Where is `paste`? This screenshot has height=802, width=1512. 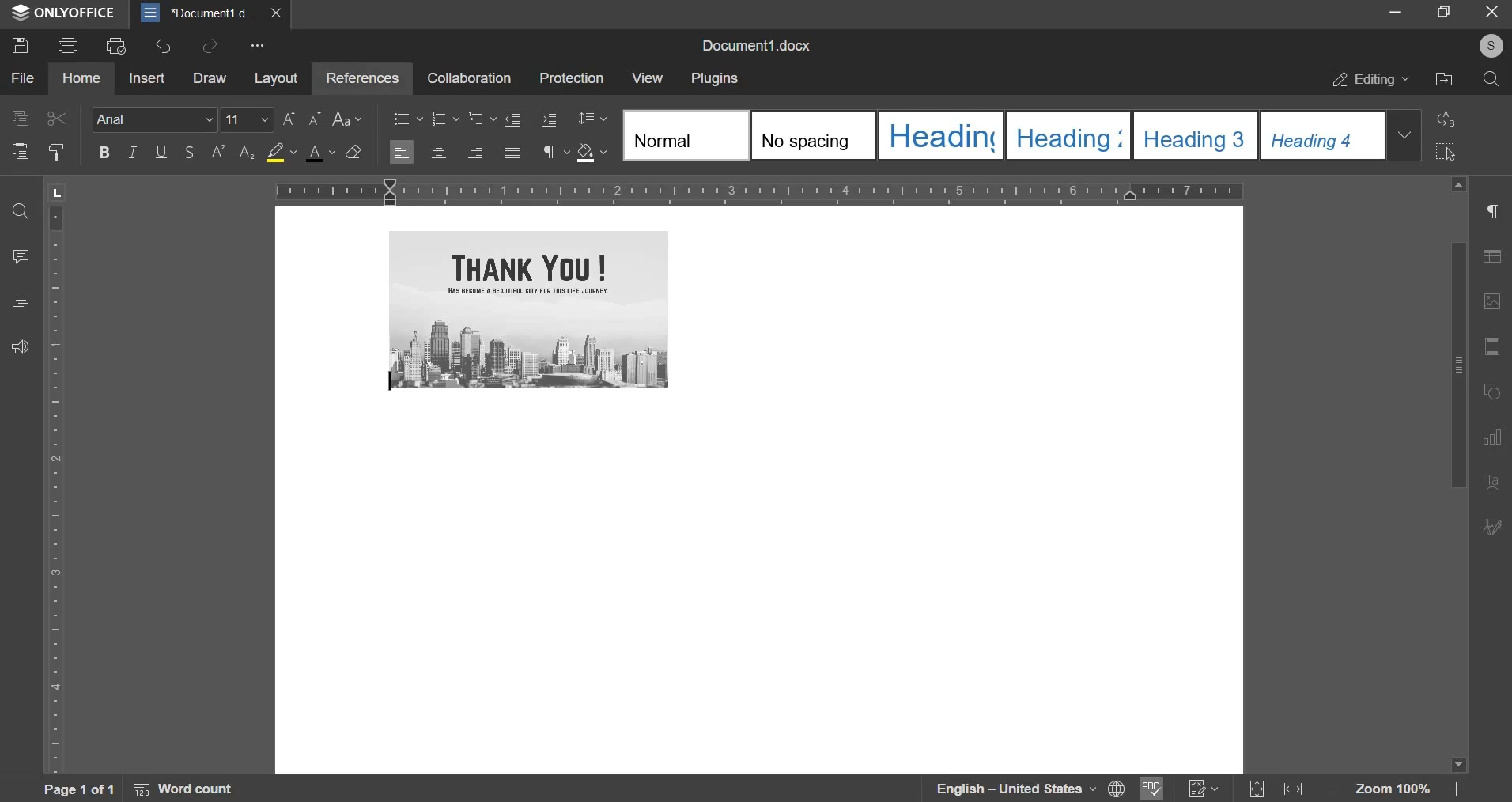
paste is located at coordinates (19, 151).